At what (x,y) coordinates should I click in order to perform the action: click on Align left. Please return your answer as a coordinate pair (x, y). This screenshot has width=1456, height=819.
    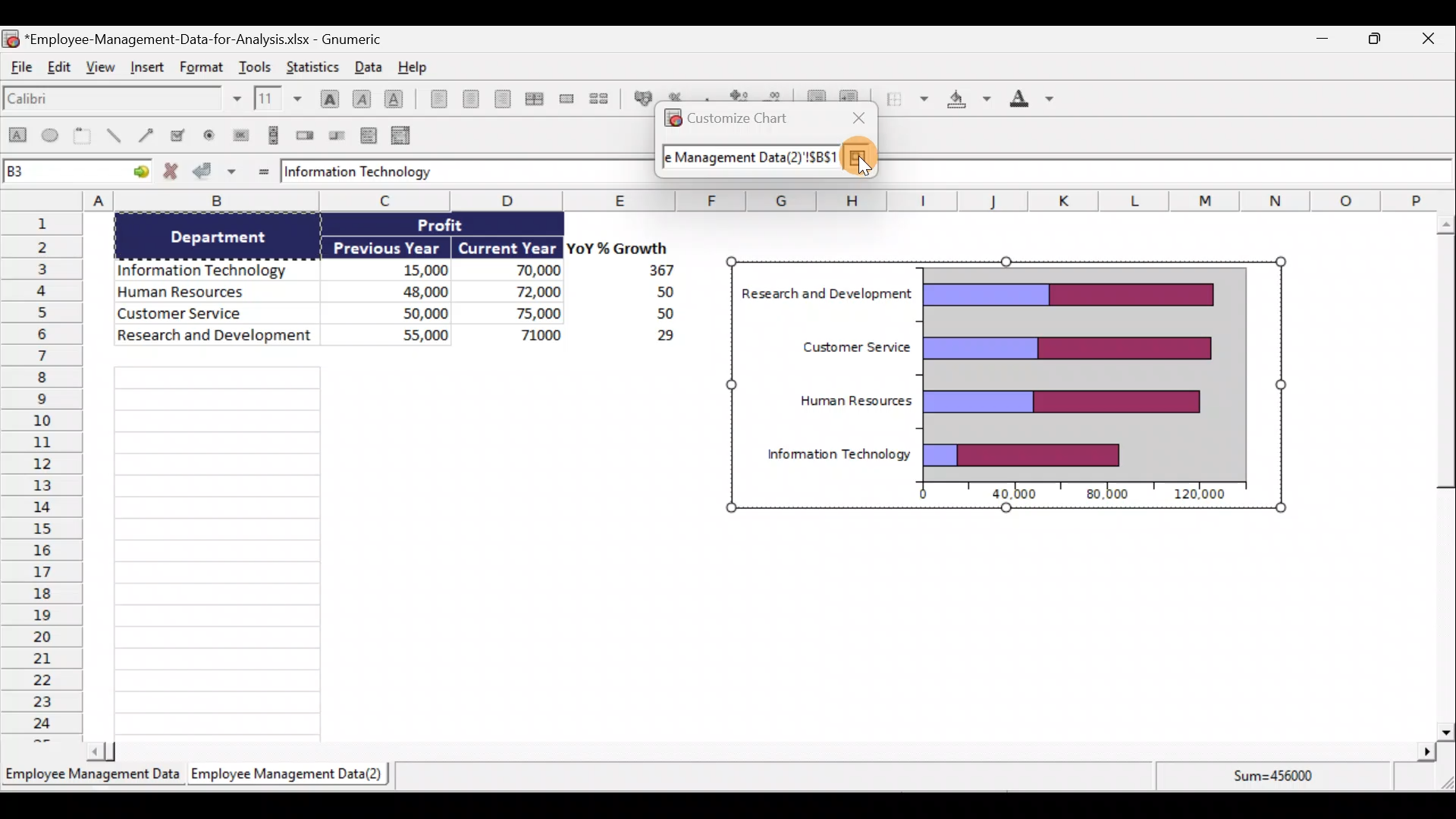
    Looking at the image, I should click on (438, 99).